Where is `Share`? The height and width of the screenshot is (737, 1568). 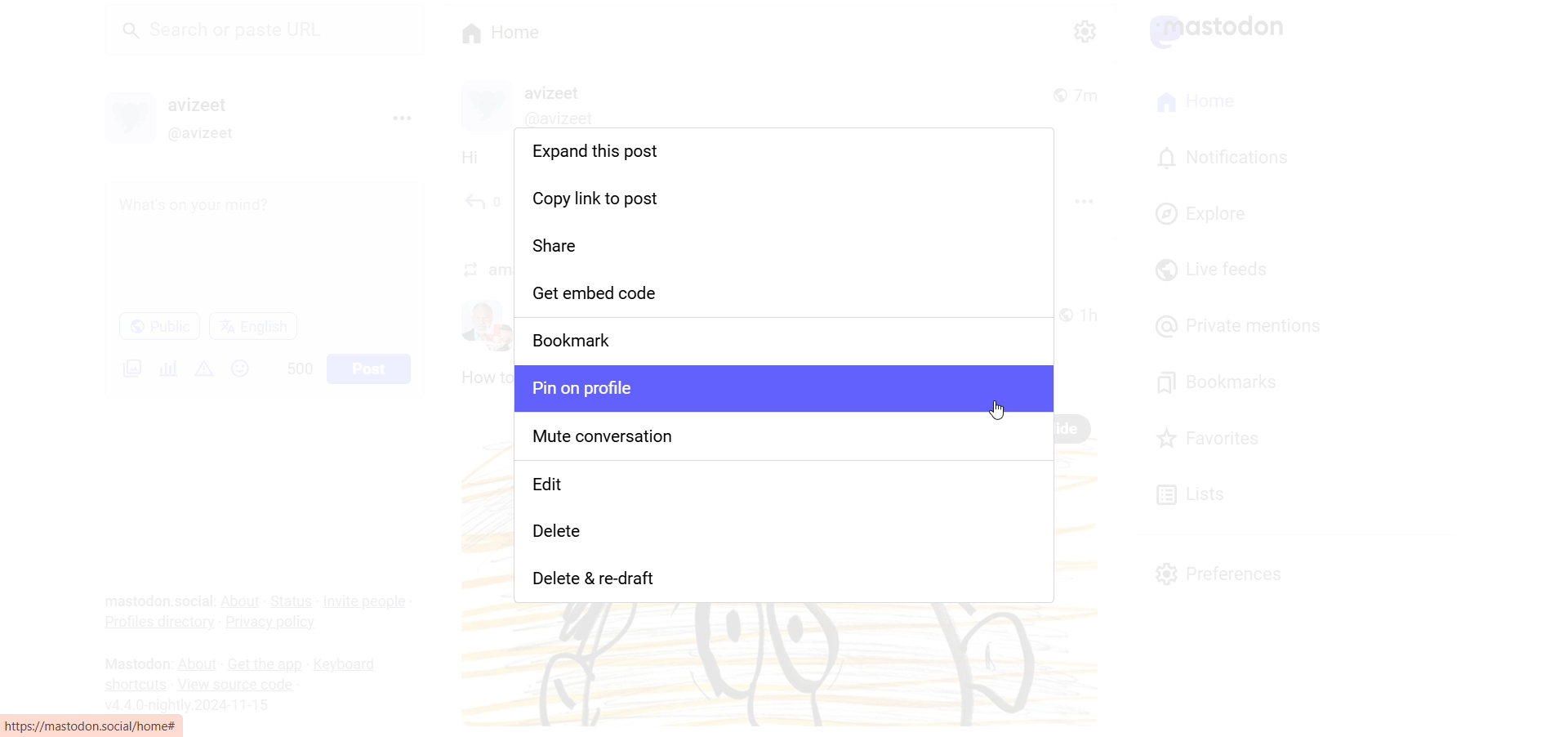
Share is located at coordinates (785, 245).